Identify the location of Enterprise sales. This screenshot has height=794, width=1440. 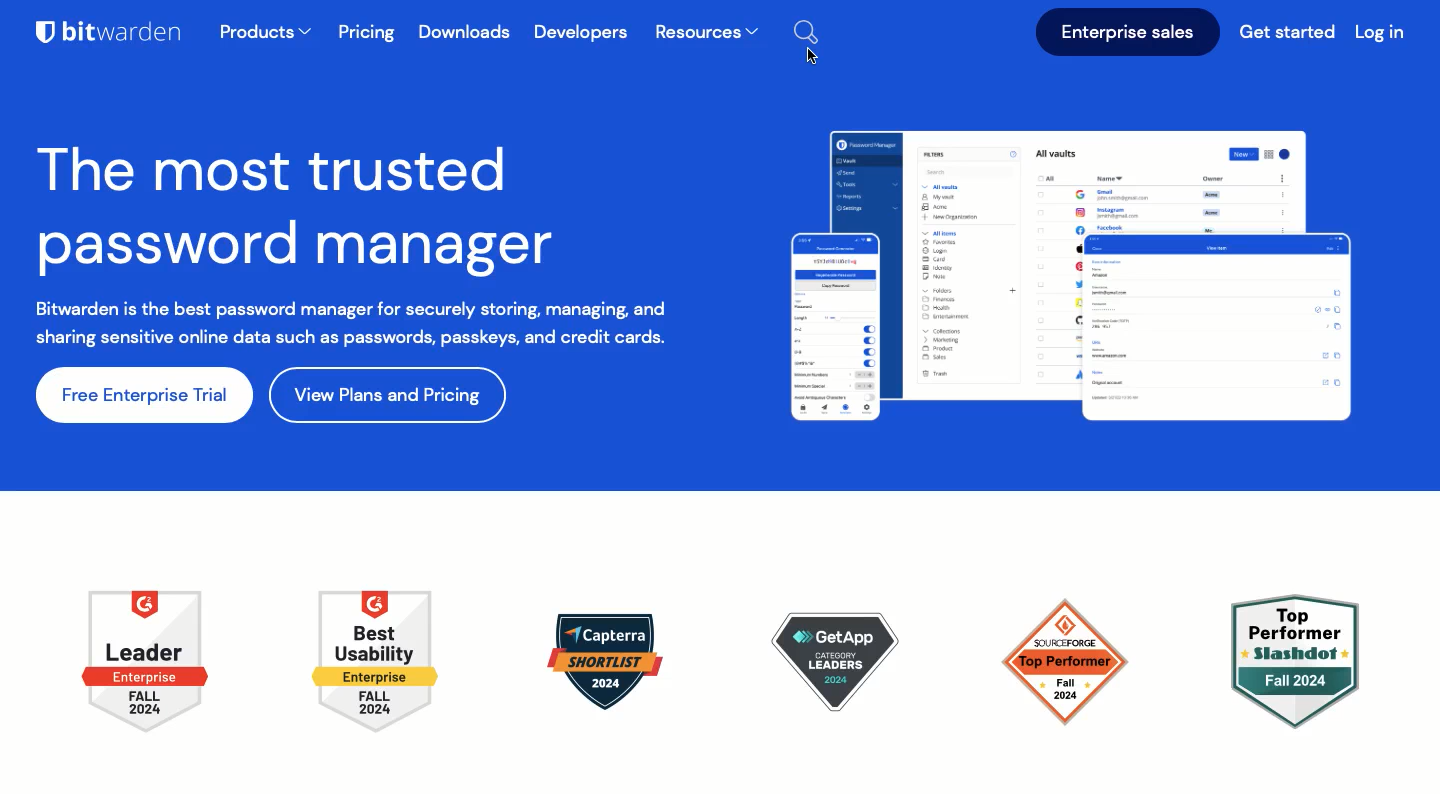
(1128, 33).